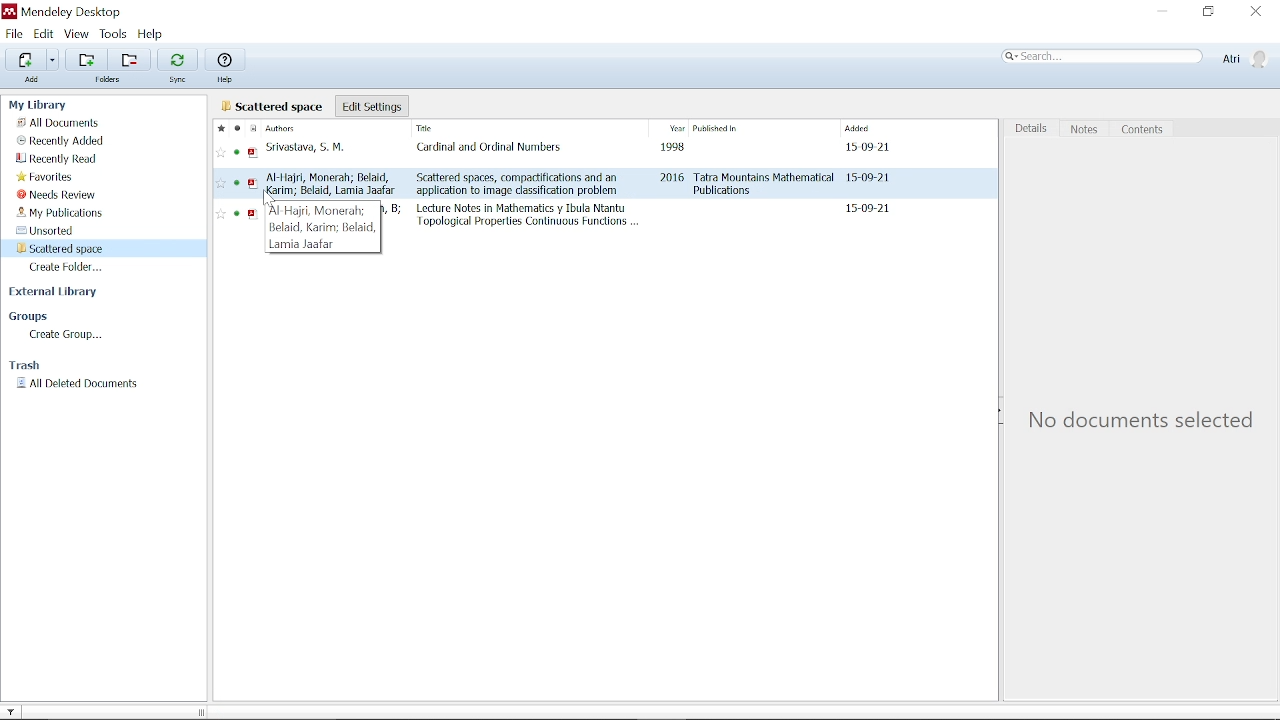  Describe the element at coordinates (363, 106) in the screenshot. I see `Edit settings` at that location.